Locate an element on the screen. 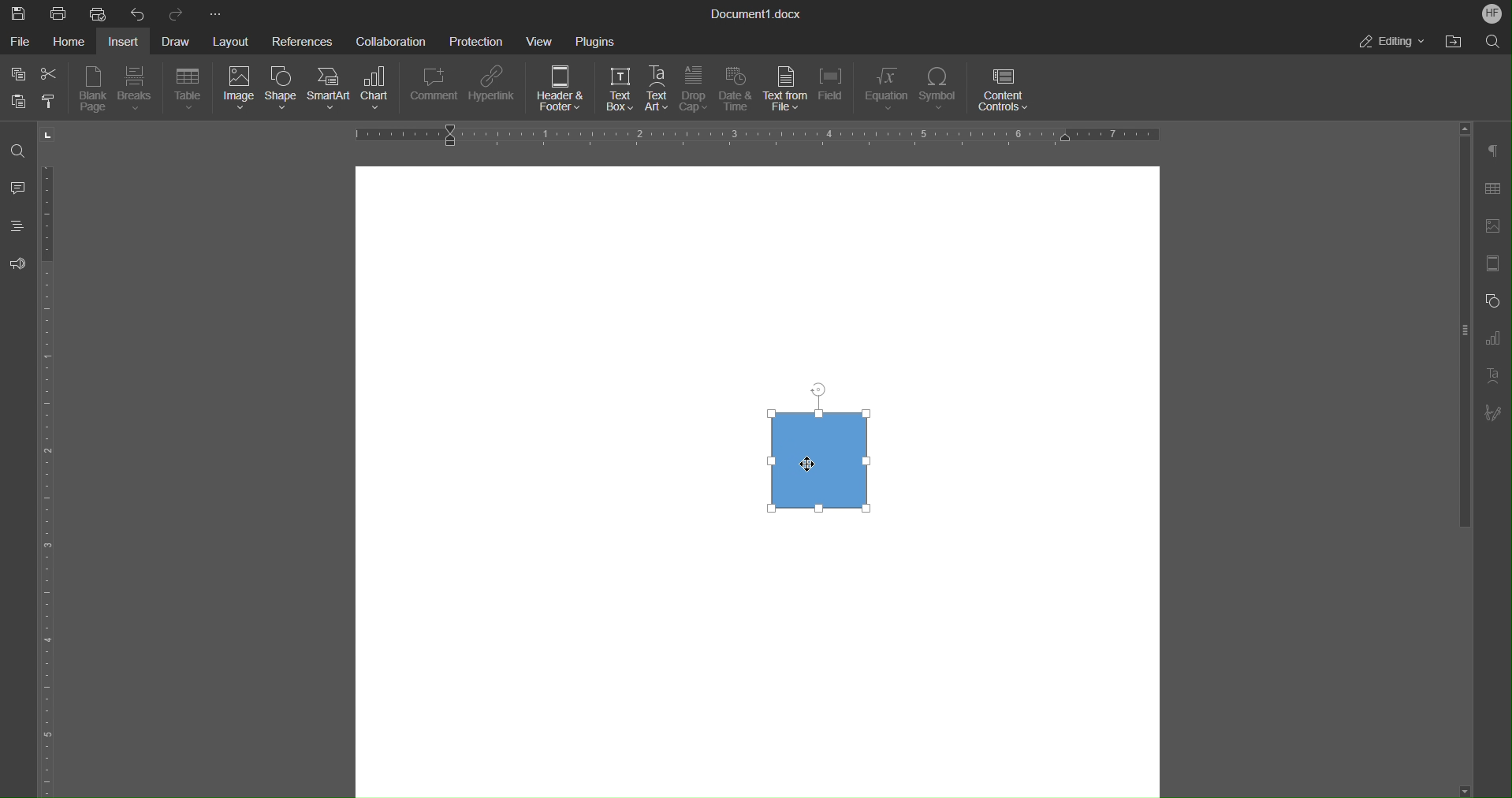 This screenshot has width=1512, height=798. Headings is located at coordinates (20, 229).